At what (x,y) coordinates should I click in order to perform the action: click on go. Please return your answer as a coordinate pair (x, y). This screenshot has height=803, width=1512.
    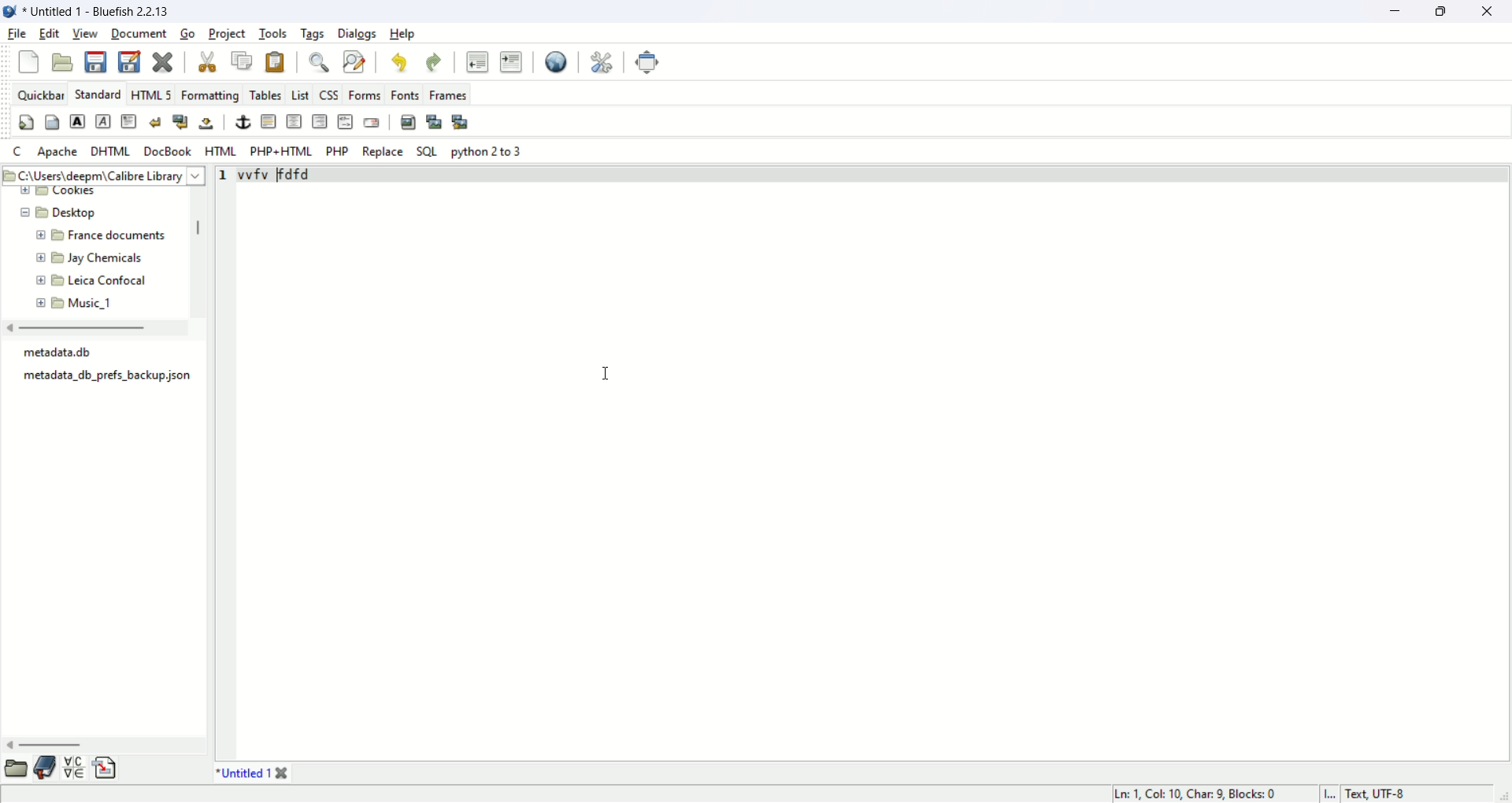
    Looking at the image, I should click on (189, 34).